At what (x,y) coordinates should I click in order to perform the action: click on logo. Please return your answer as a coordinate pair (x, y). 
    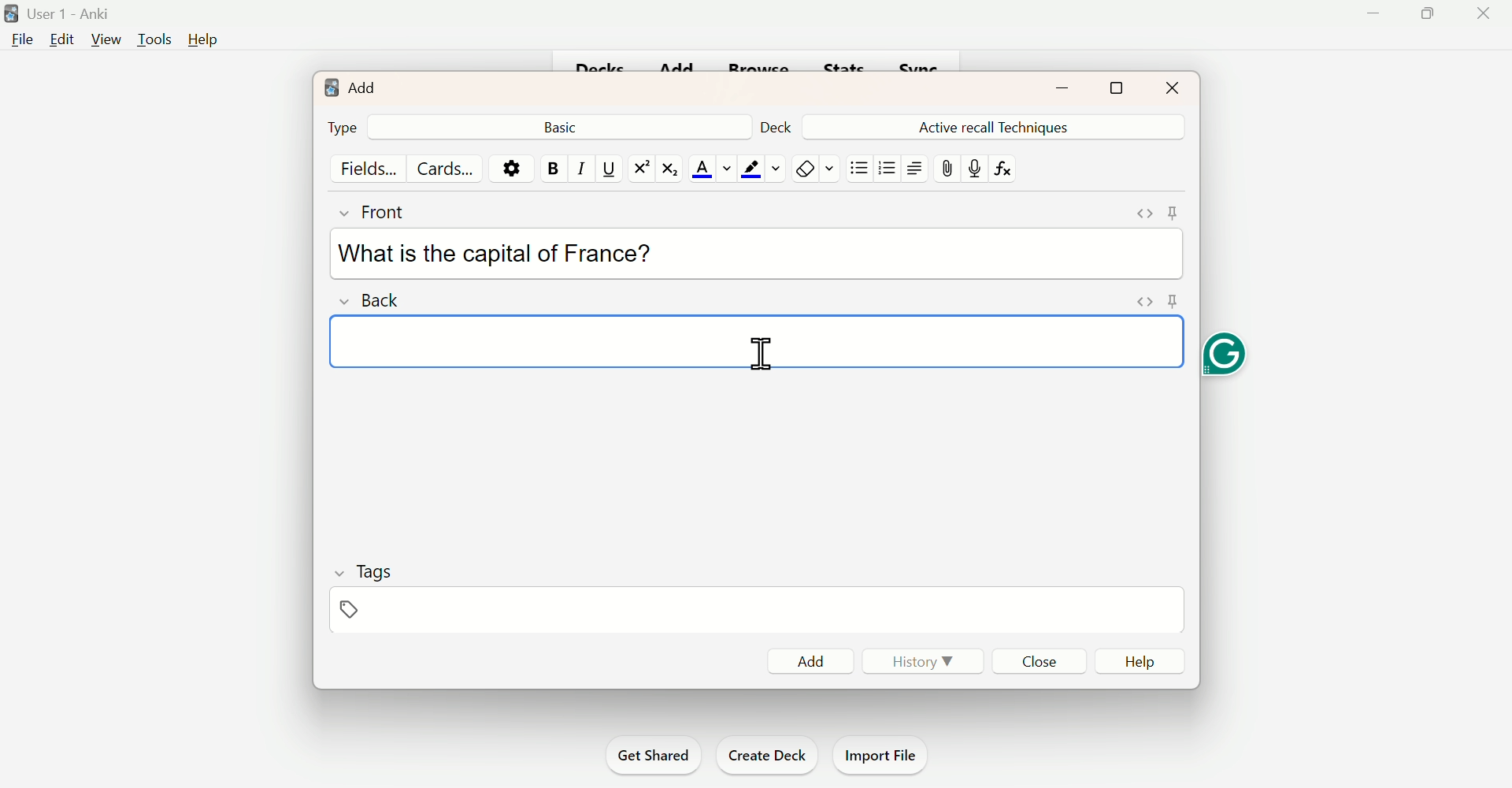
    Looking at the image, I should click on (325, 91).